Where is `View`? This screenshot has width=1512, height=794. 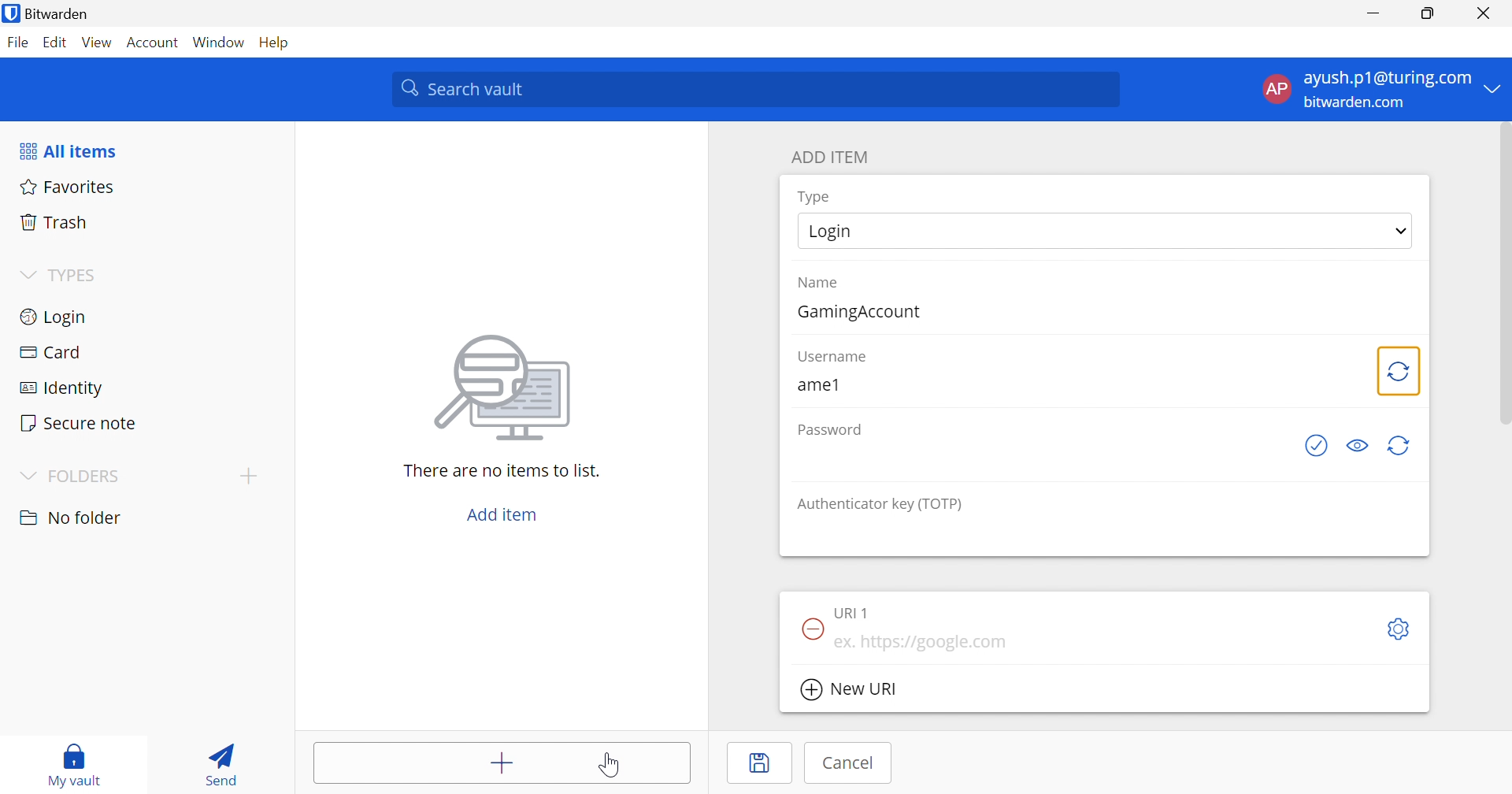 View is located at coordinates (100, 43).